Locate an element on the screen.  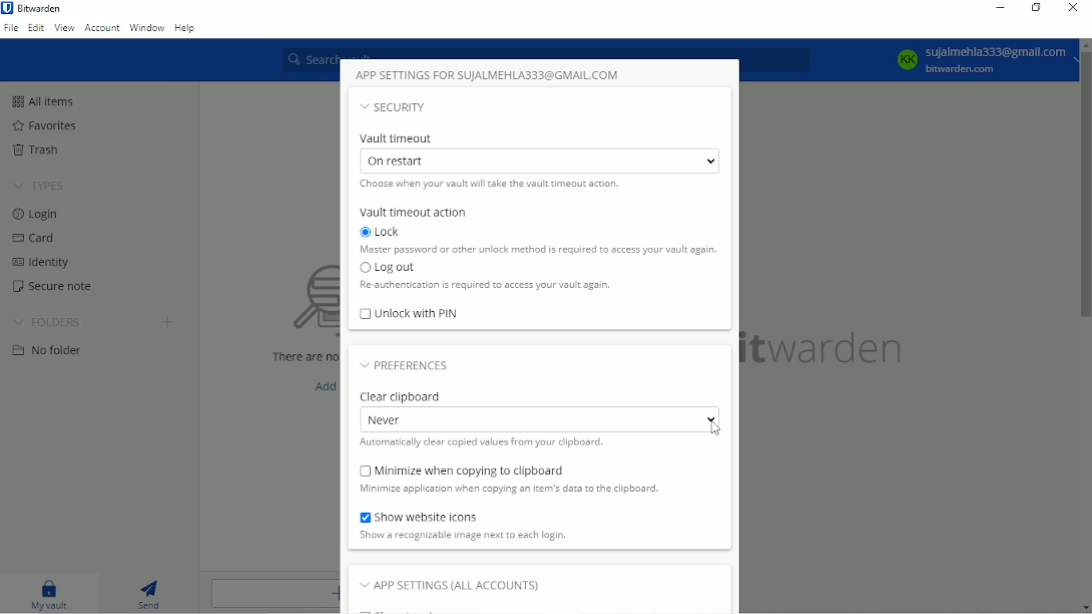
Preferences is located at coordinates (405, 365).